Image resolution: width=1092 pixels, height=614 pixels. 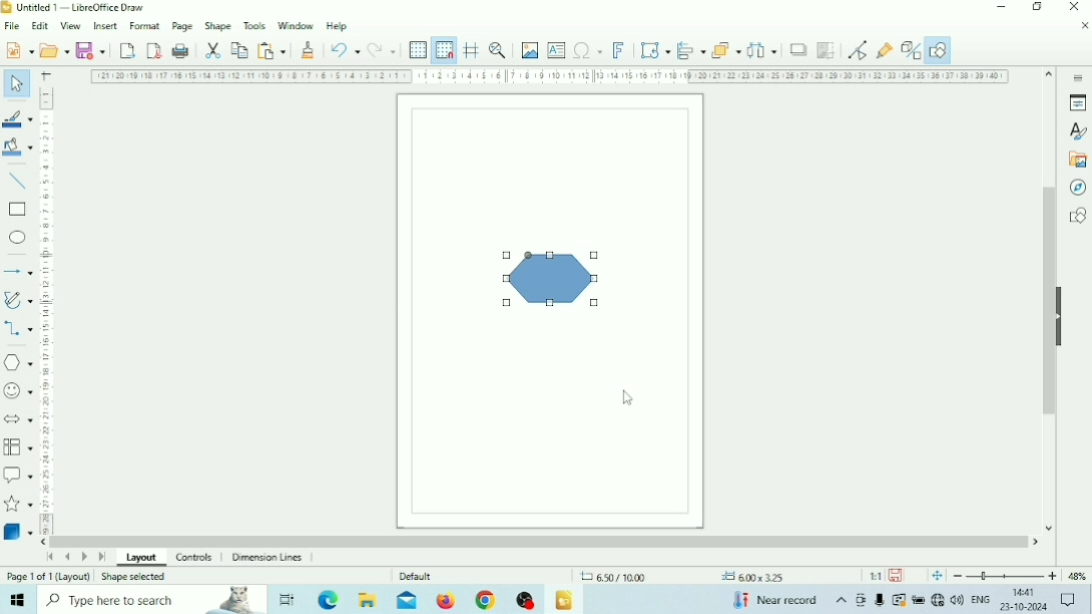 What do you see at coordinates (1049, 301) in the screenshot?
I see `Vertical scrollbar` at bounding box center [1049, 301].